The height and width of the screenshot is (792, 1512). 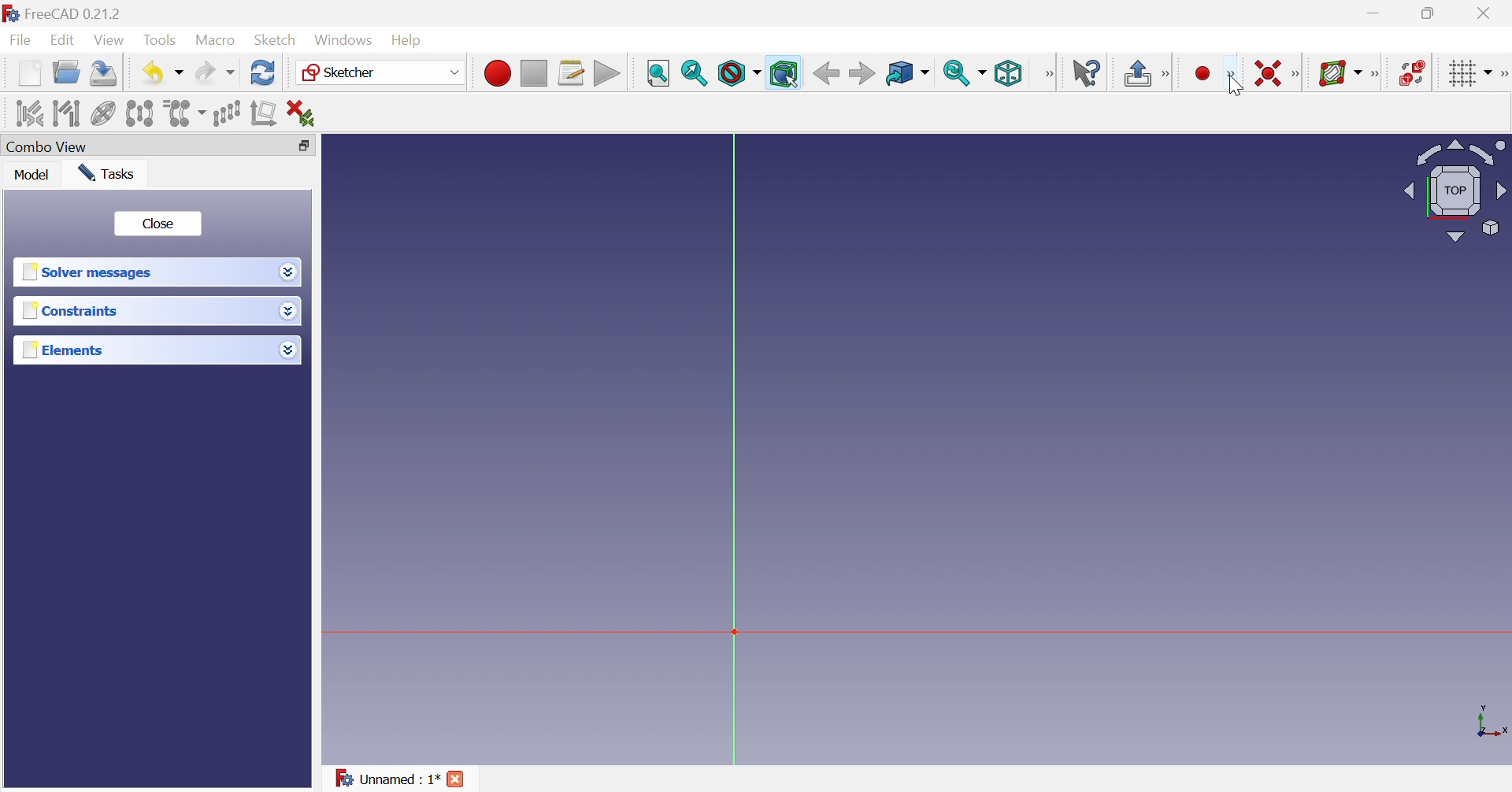 What do you see at coordinates (161, 73) in the screenshot?
I see `Save` at bounding box center [161, 73].